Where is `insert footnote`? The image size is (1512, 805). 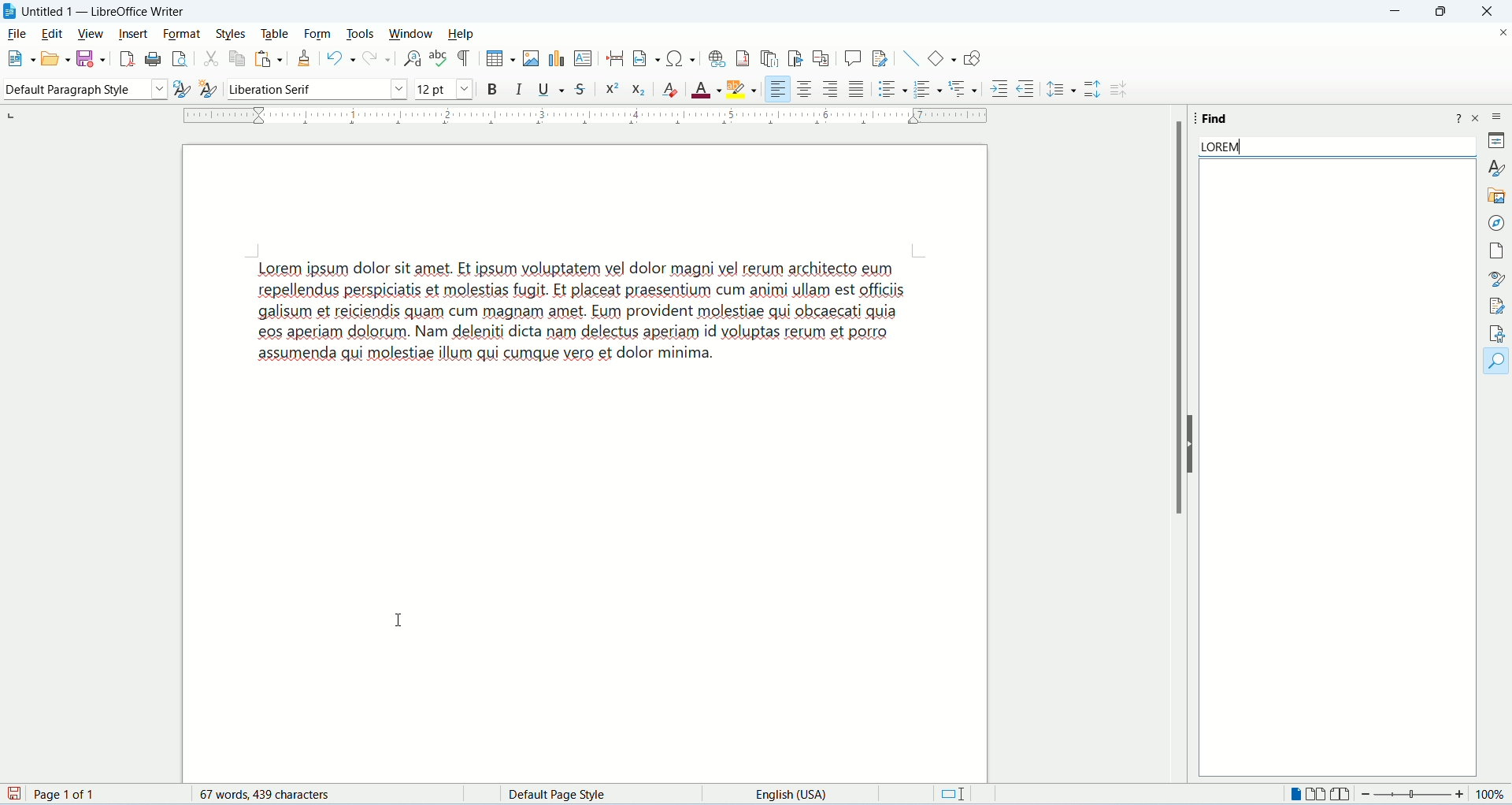 insert footnote is located at coordinates (744, 61).